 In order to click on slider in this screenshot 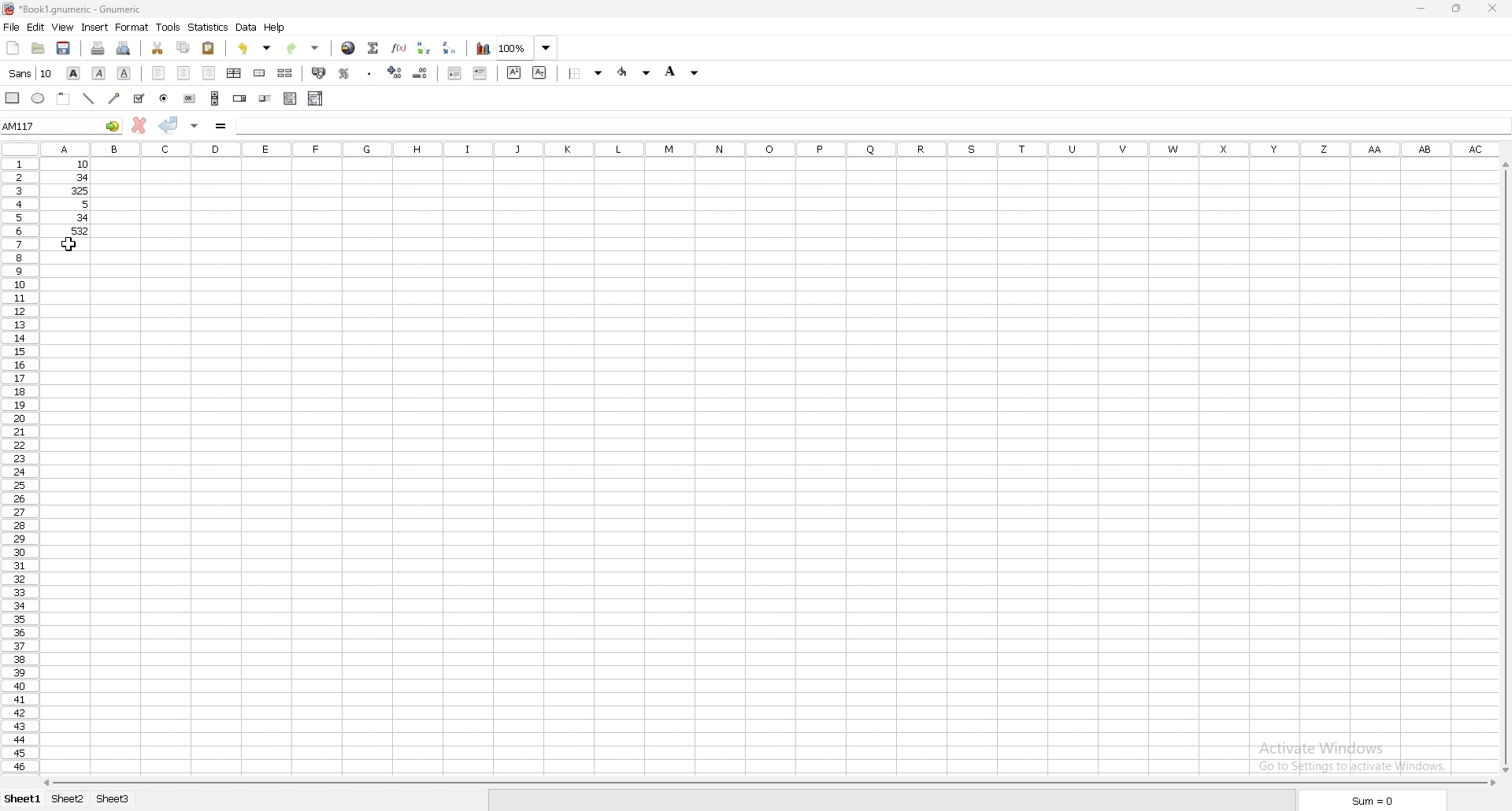, I will do `click(265, 98)`.